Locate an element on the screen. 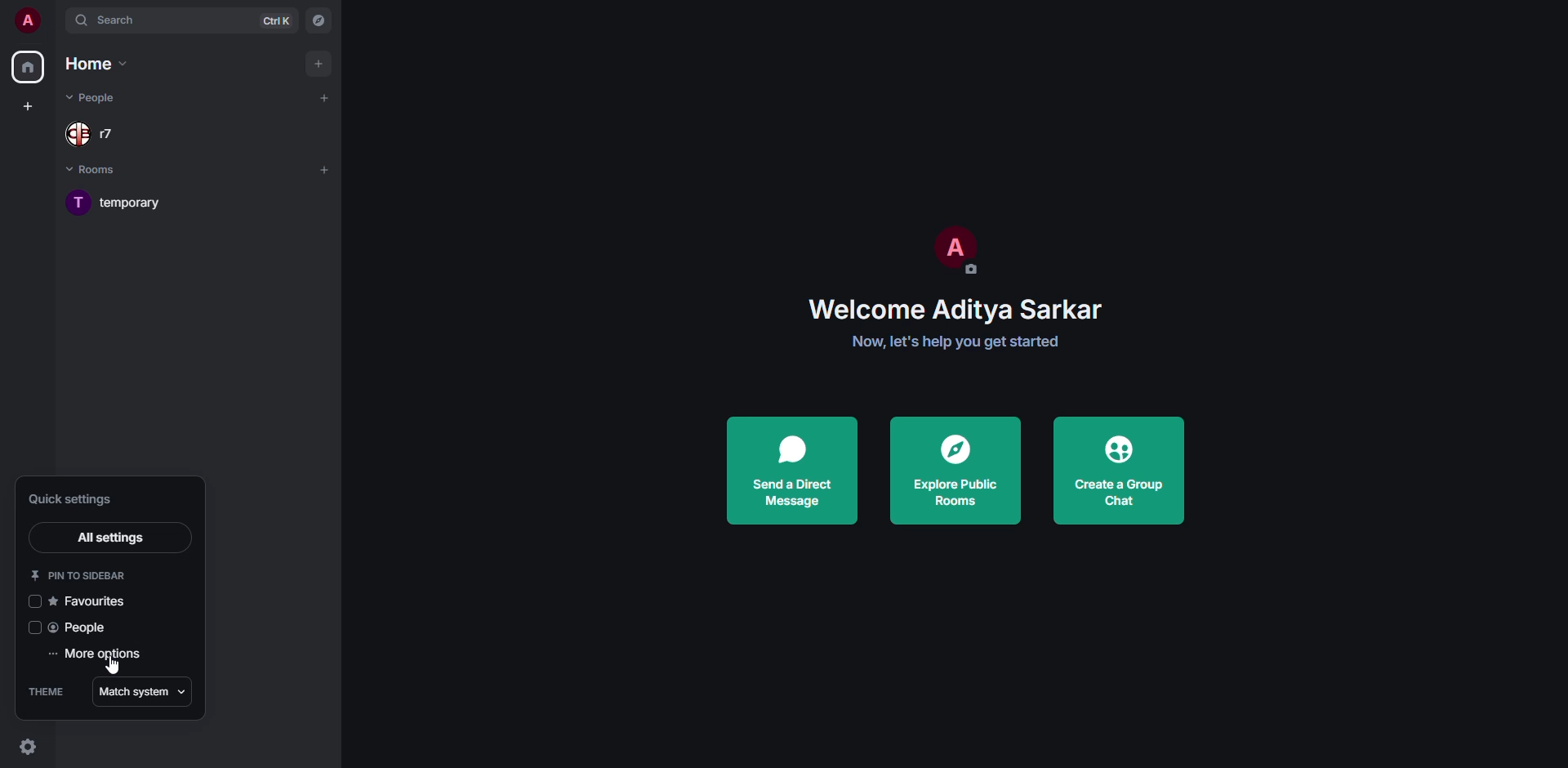 The image size is (1568, 768). more options is located at coordinates (100, 653).